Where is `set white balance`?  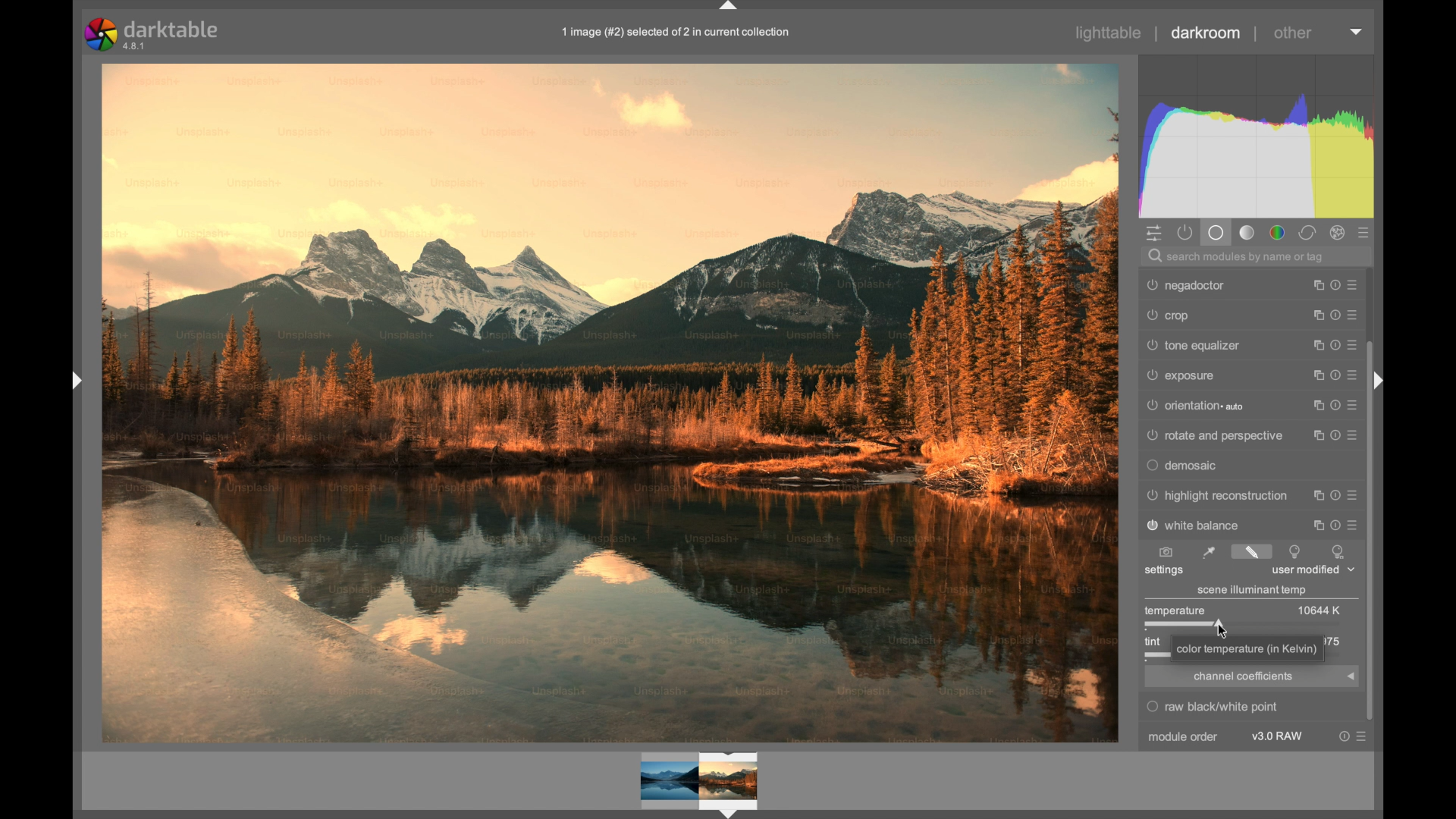
set white balance is located at coordinates (1338, 550).